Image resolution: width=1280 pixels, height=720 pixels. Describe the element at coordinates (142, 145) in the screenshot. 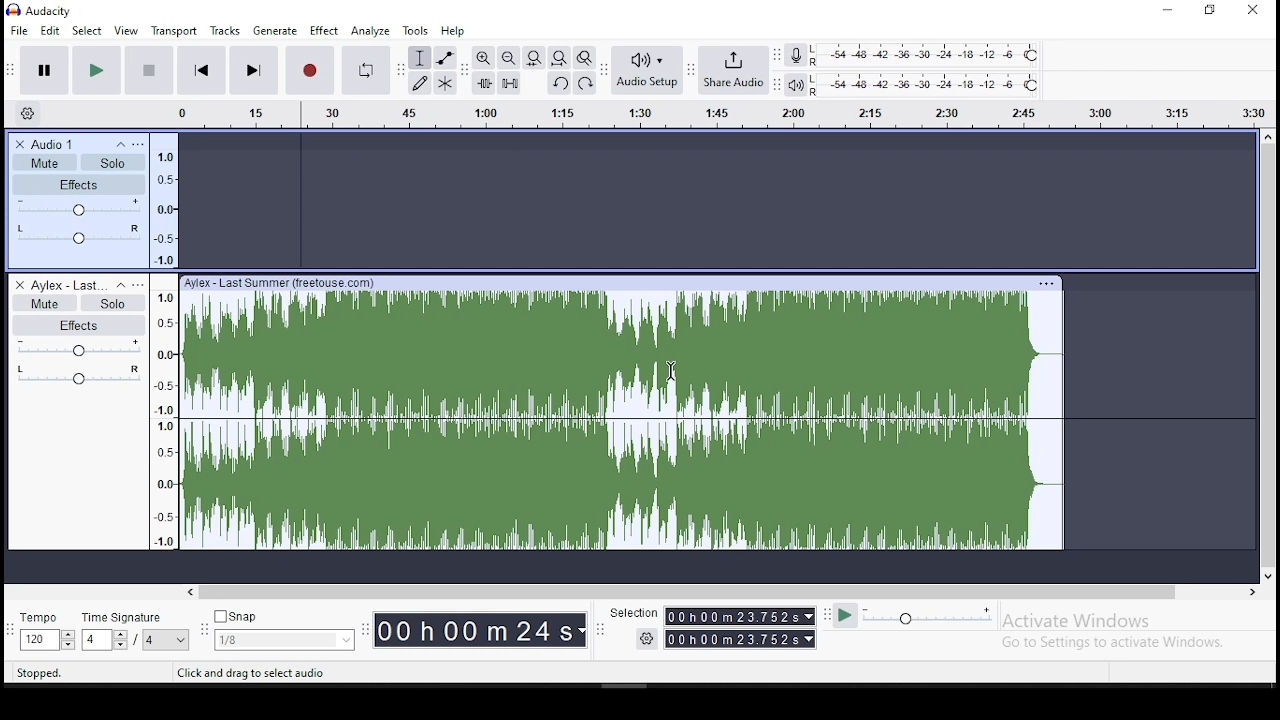

I see `open menu` at that location.